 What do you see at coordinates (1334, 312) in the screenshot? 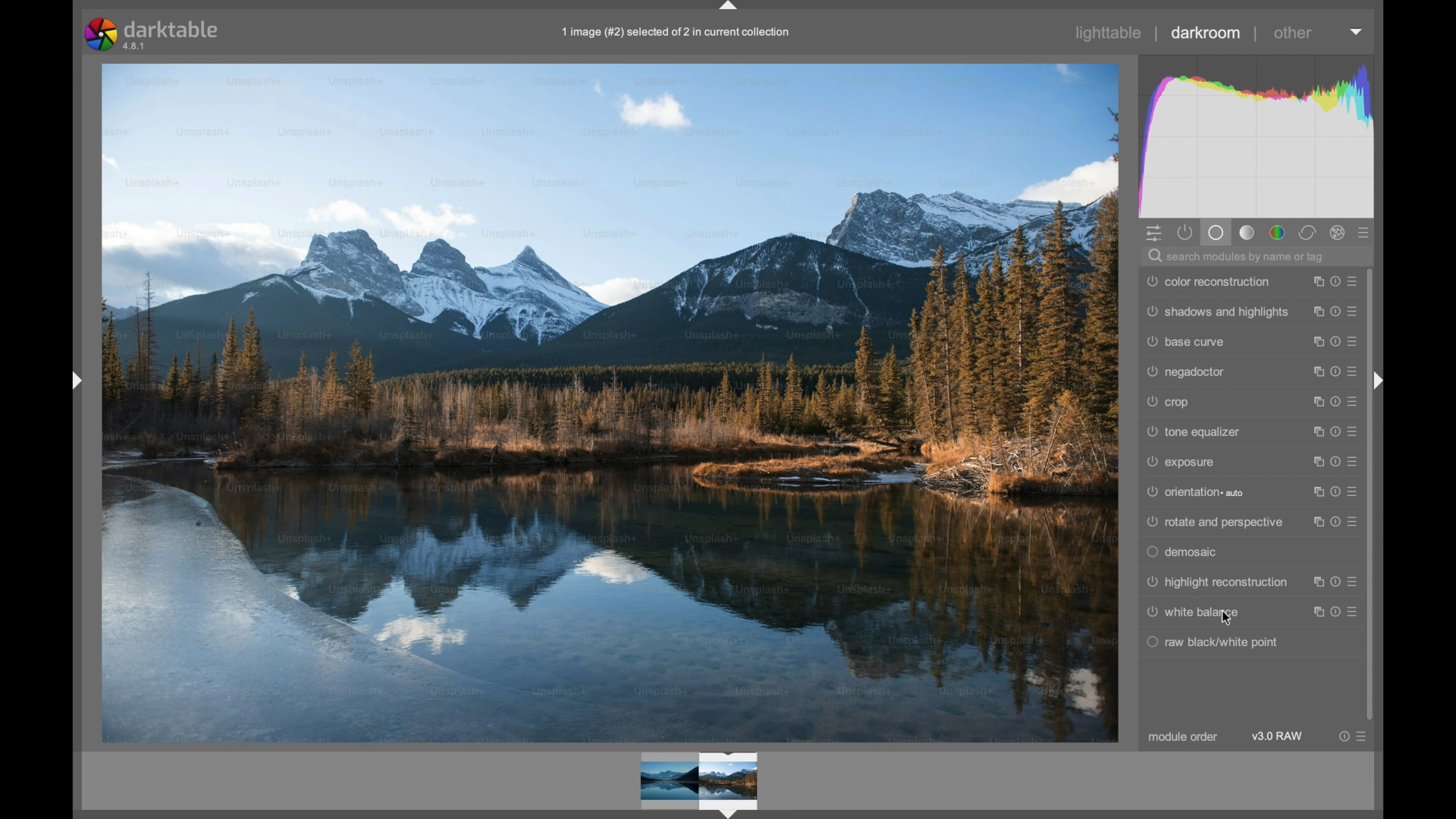
I see `reset parameters` at bounding box center [1334, 312].